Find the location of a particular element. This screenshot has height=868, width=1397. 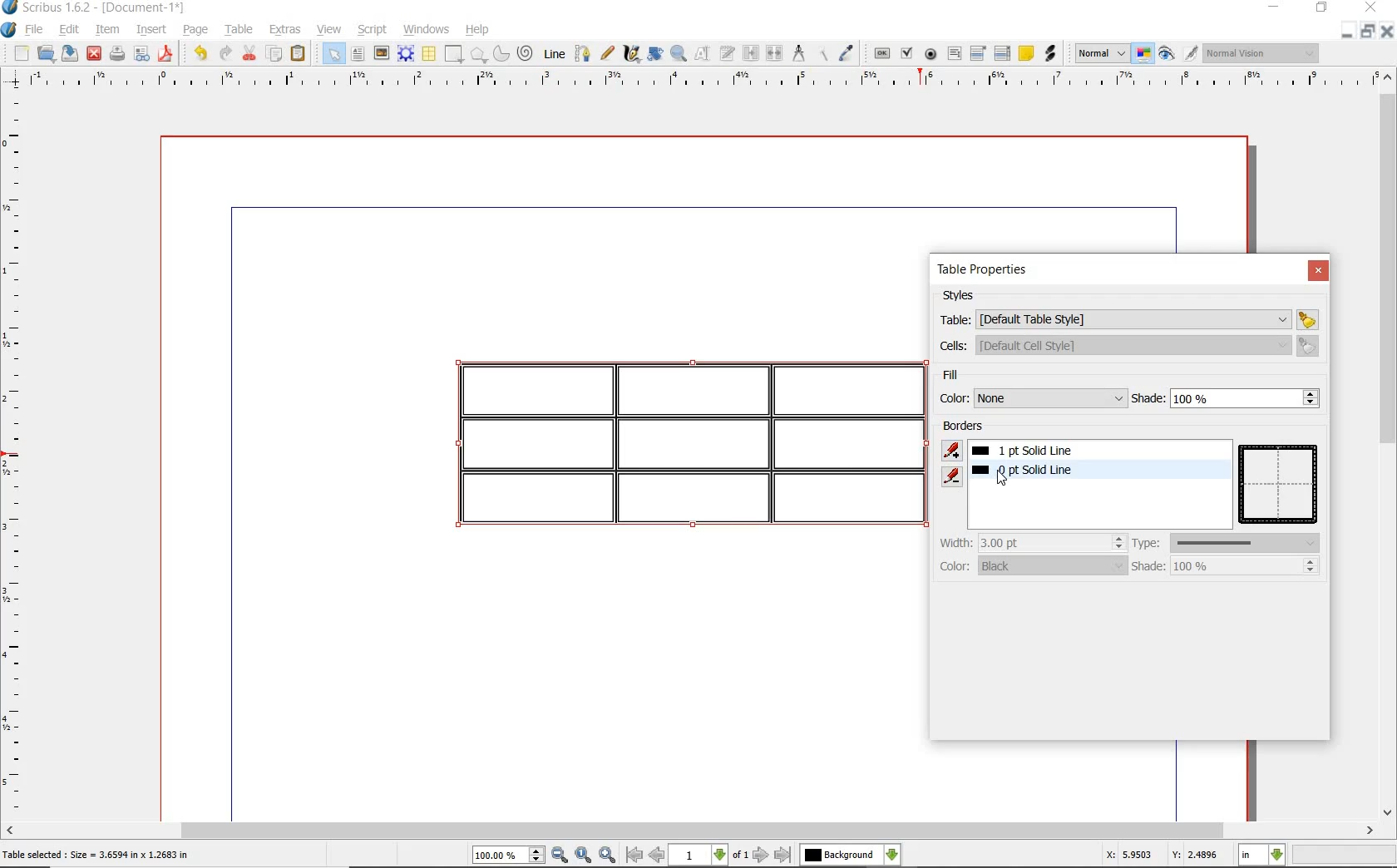

zoom factor is located at coordinates (1344, 856).